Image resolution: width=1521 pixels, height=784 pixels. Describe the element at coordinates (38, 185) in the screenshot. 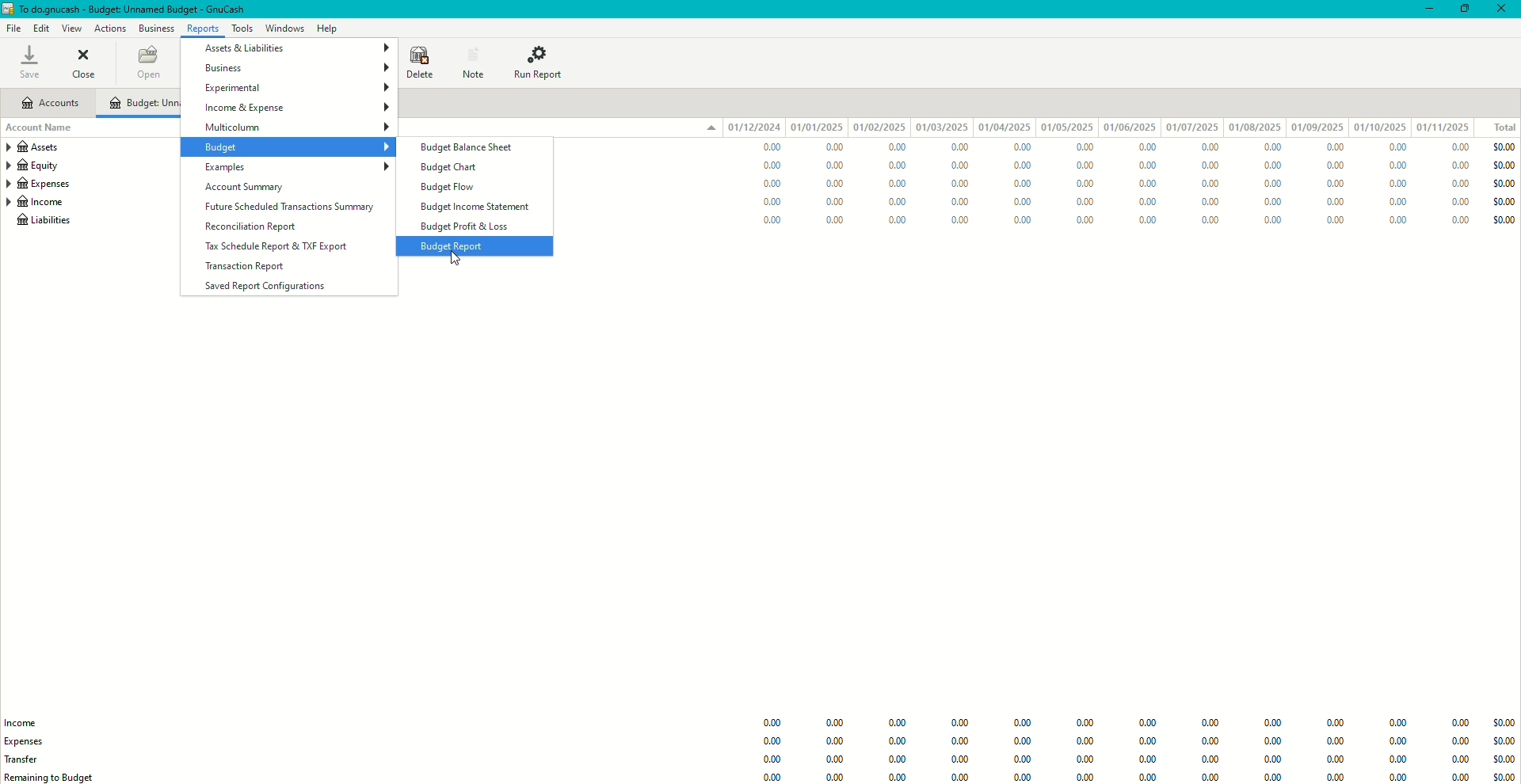

I see `Expenses` at that location.